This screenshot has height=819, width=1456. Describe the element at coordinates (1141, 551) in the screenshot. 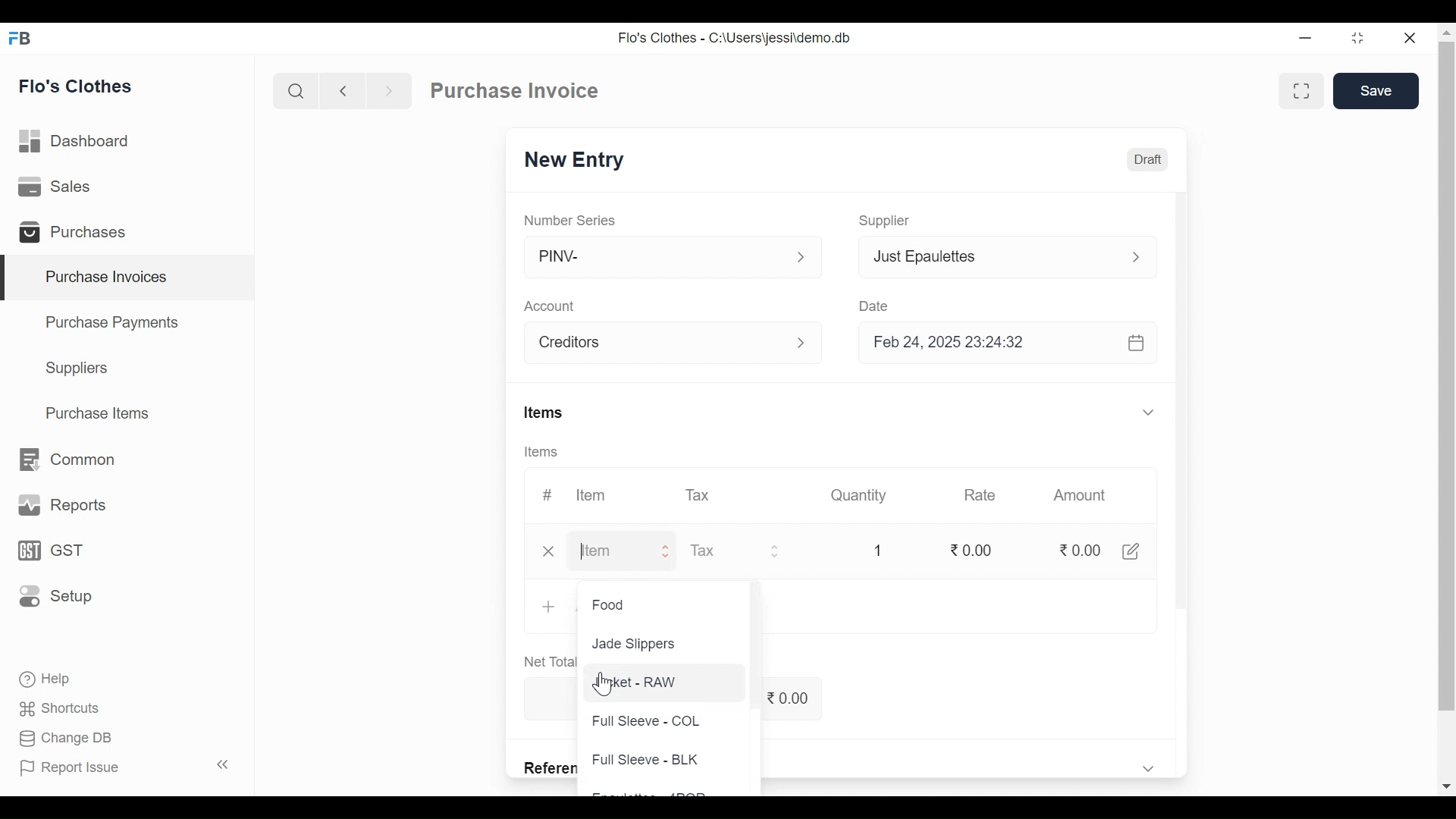

I see `Edit` at that location.